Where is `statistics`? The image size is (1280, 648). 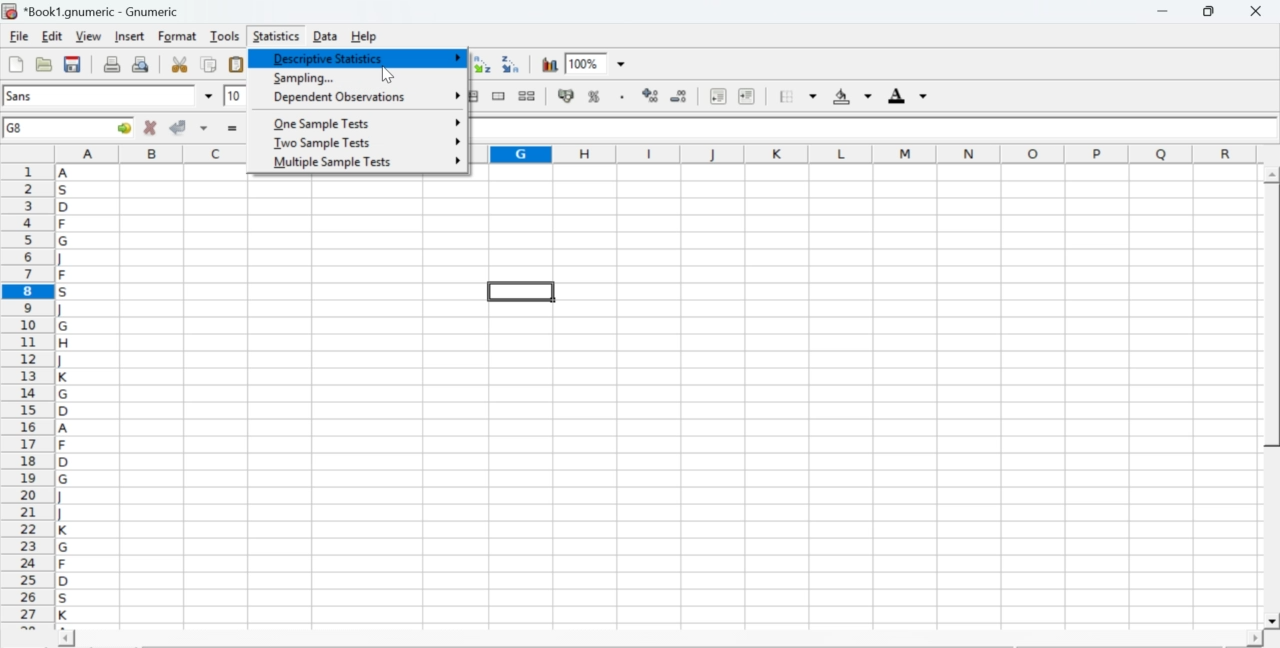 statistics is located at coordinates (274, 36).